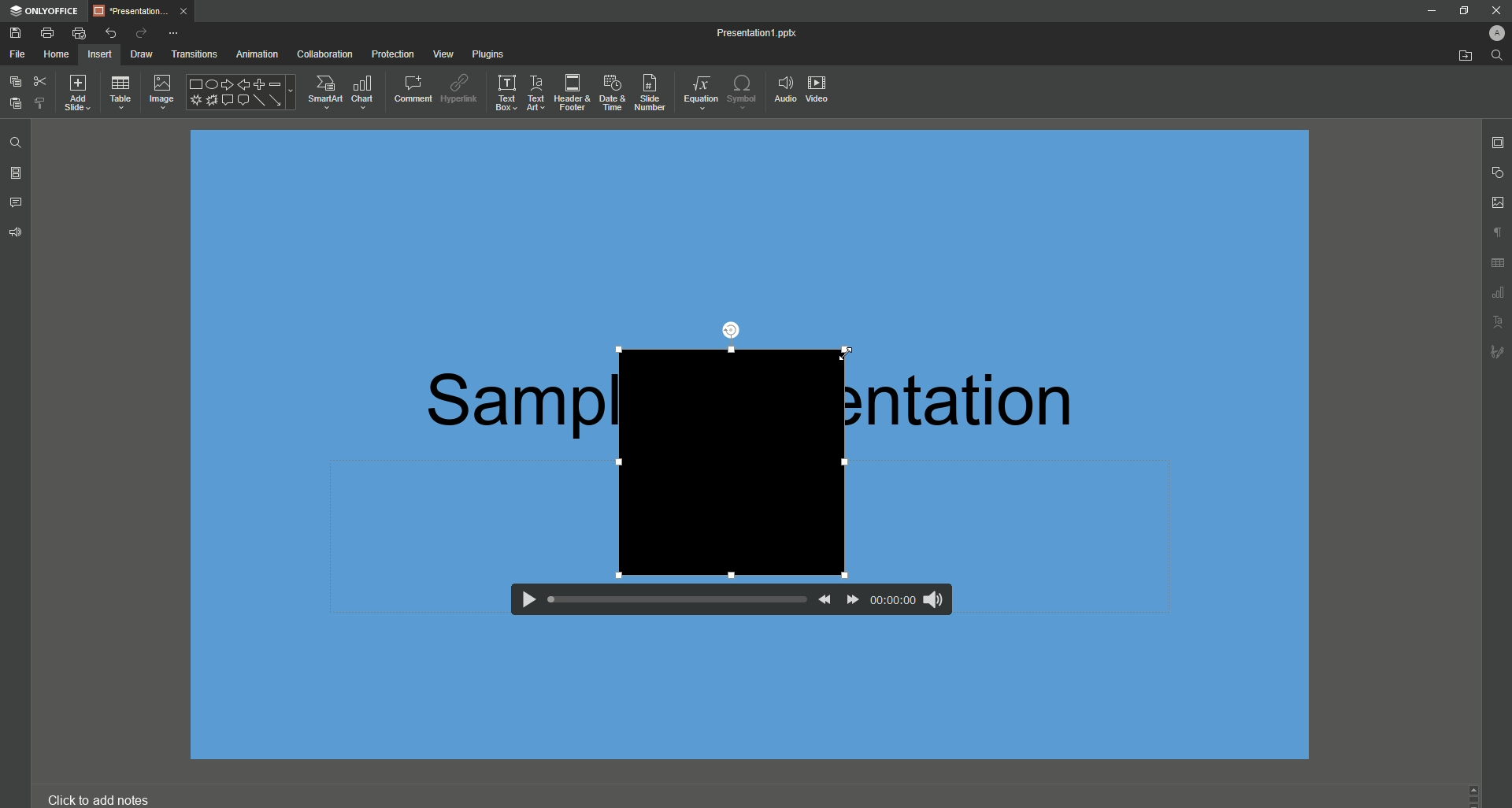  I want to click on Cursor, so click(846, 348).